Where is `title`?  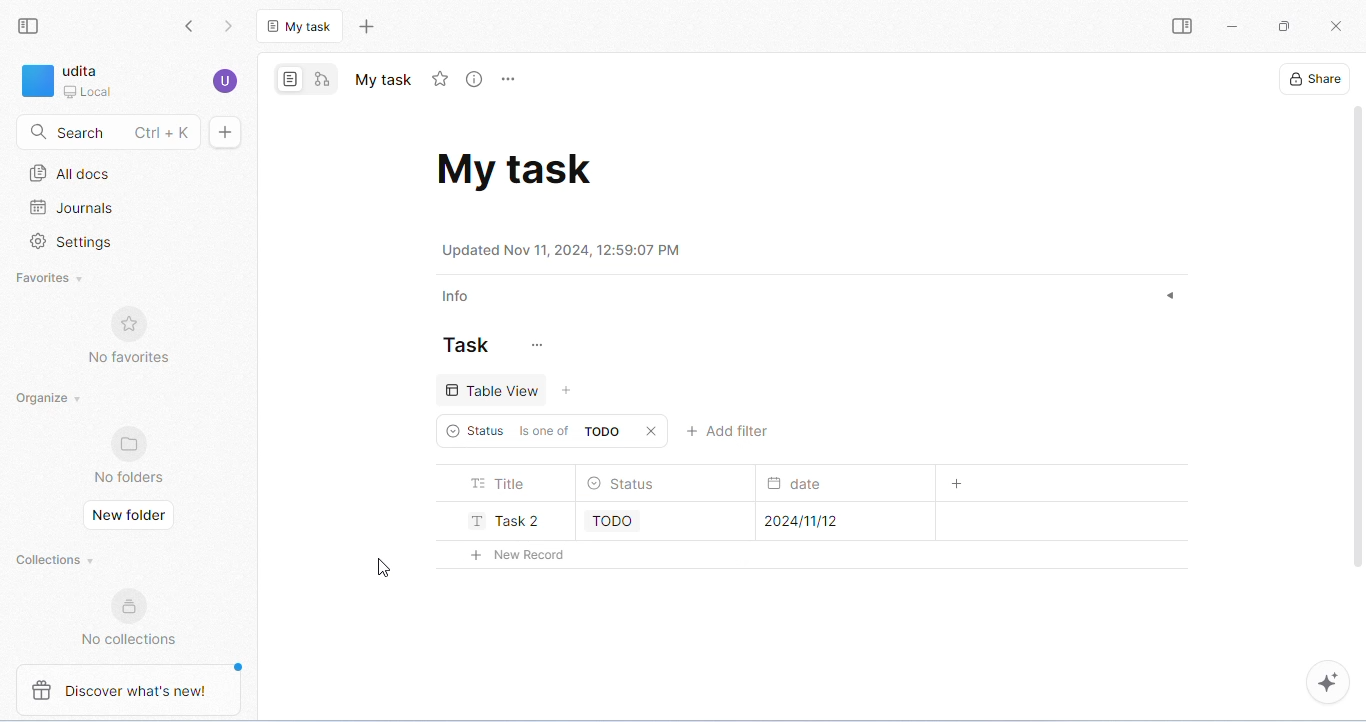
title is located at coordinates (500, 484).